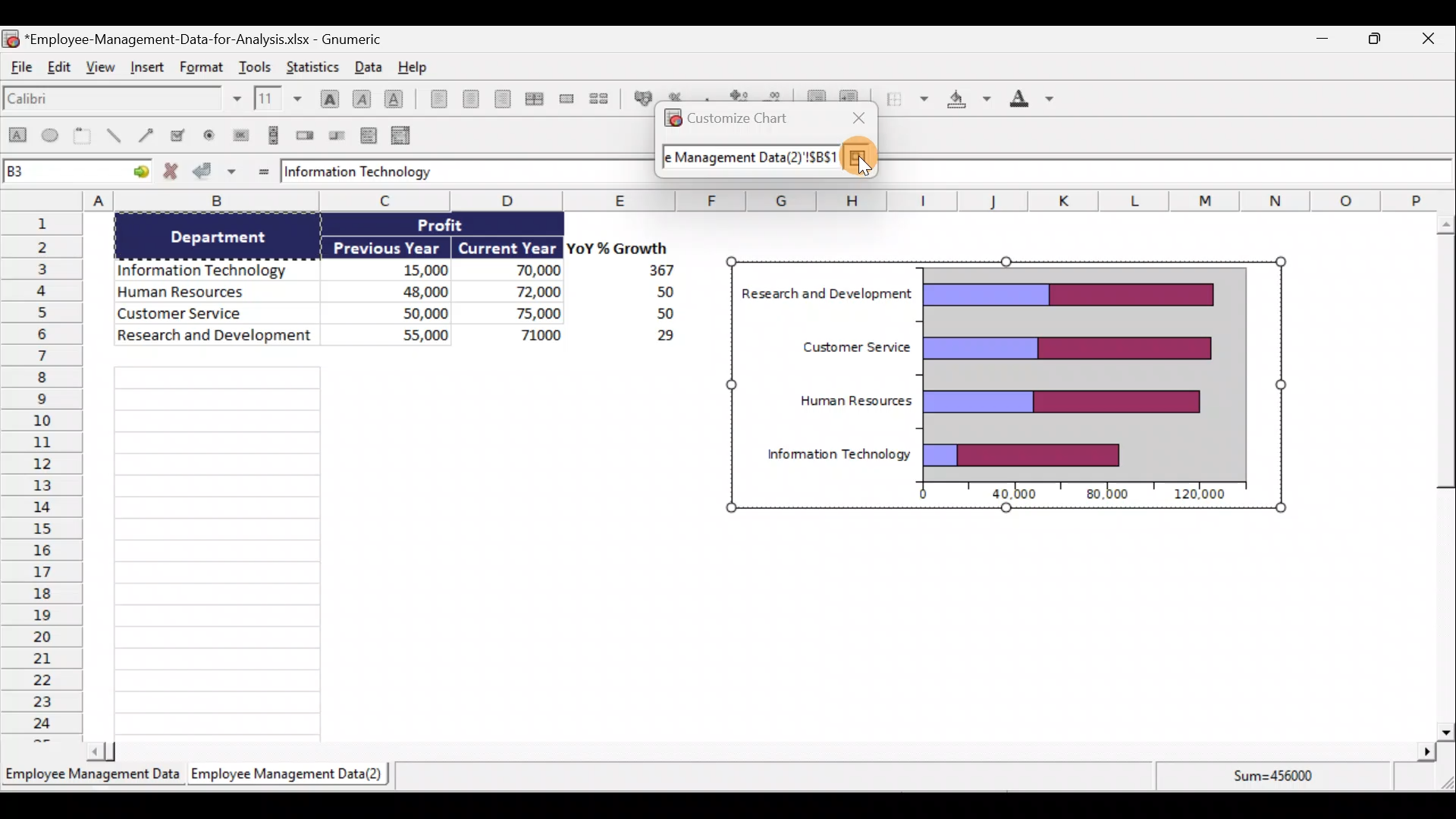  Describe the element at coordinates (256, 64) in the screenshot. I see `Tools` at that location.